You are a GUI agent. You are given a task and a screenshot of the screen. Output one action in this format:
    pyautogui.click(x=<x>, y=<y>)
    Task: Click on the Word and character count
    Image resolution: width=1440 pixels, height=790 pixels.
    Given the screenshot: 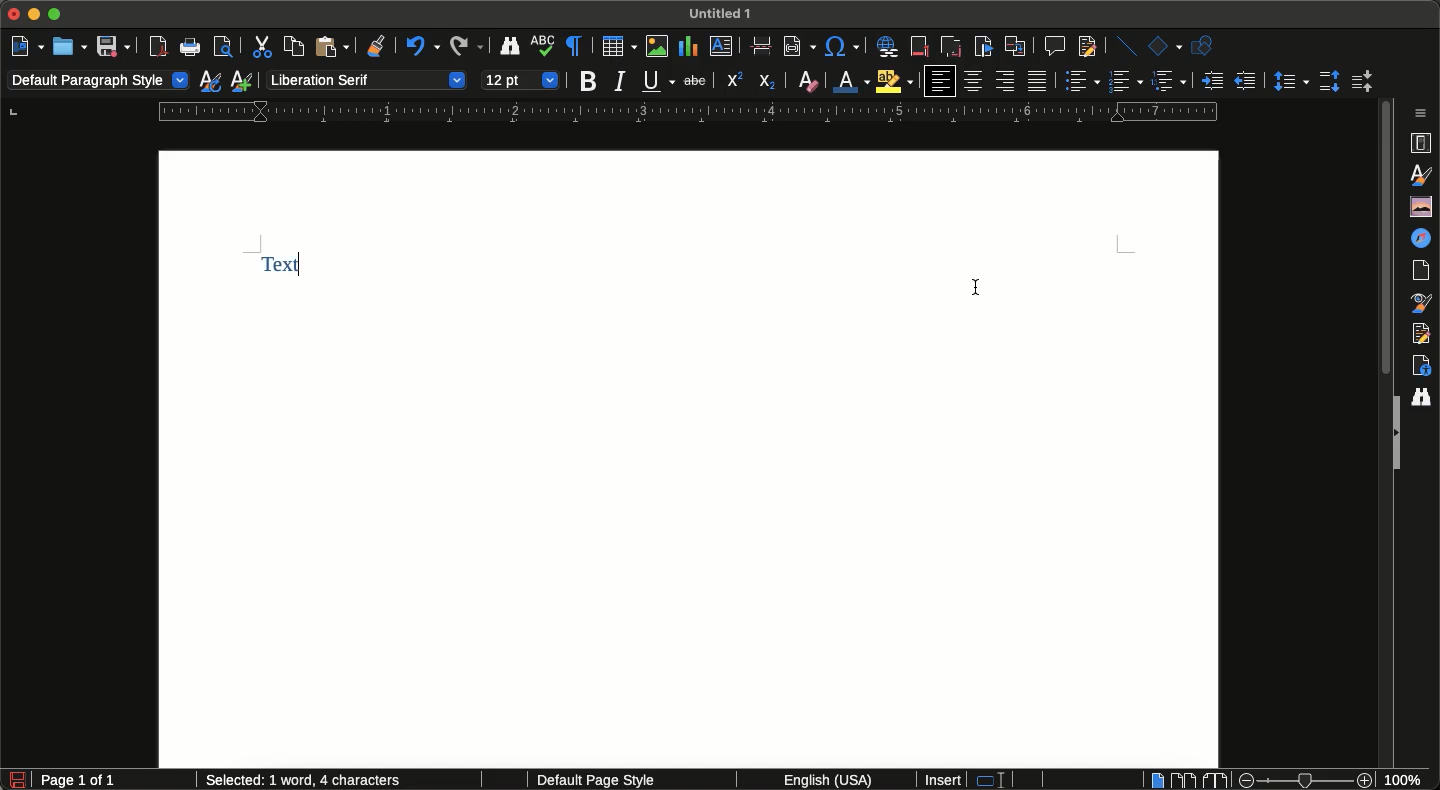 What is the action you would take?
    pyautogui.click(x=314, y=779)
    